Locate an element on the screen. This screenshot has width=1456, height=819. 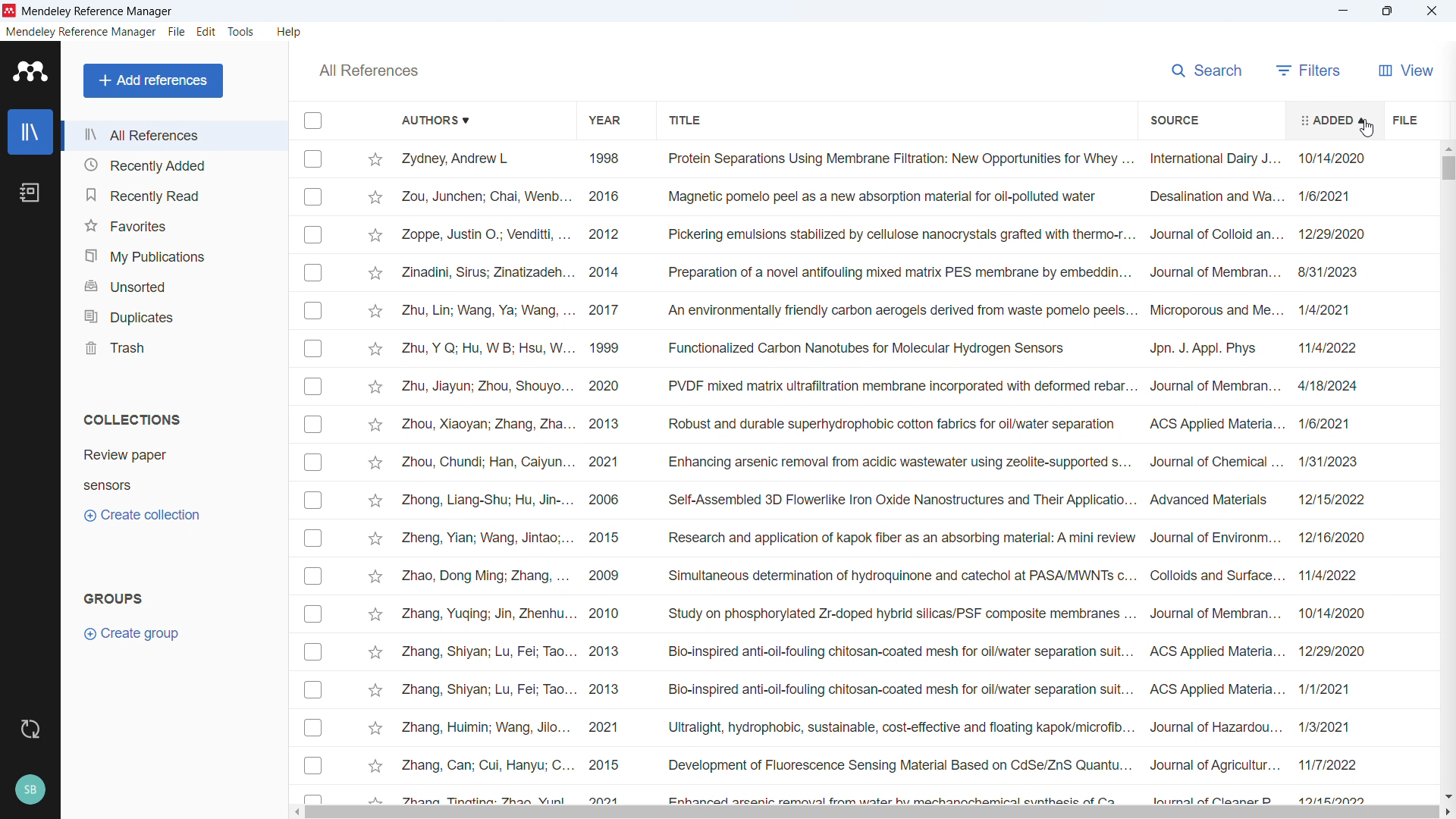
Recently read  is located at coordinates (174, 193).